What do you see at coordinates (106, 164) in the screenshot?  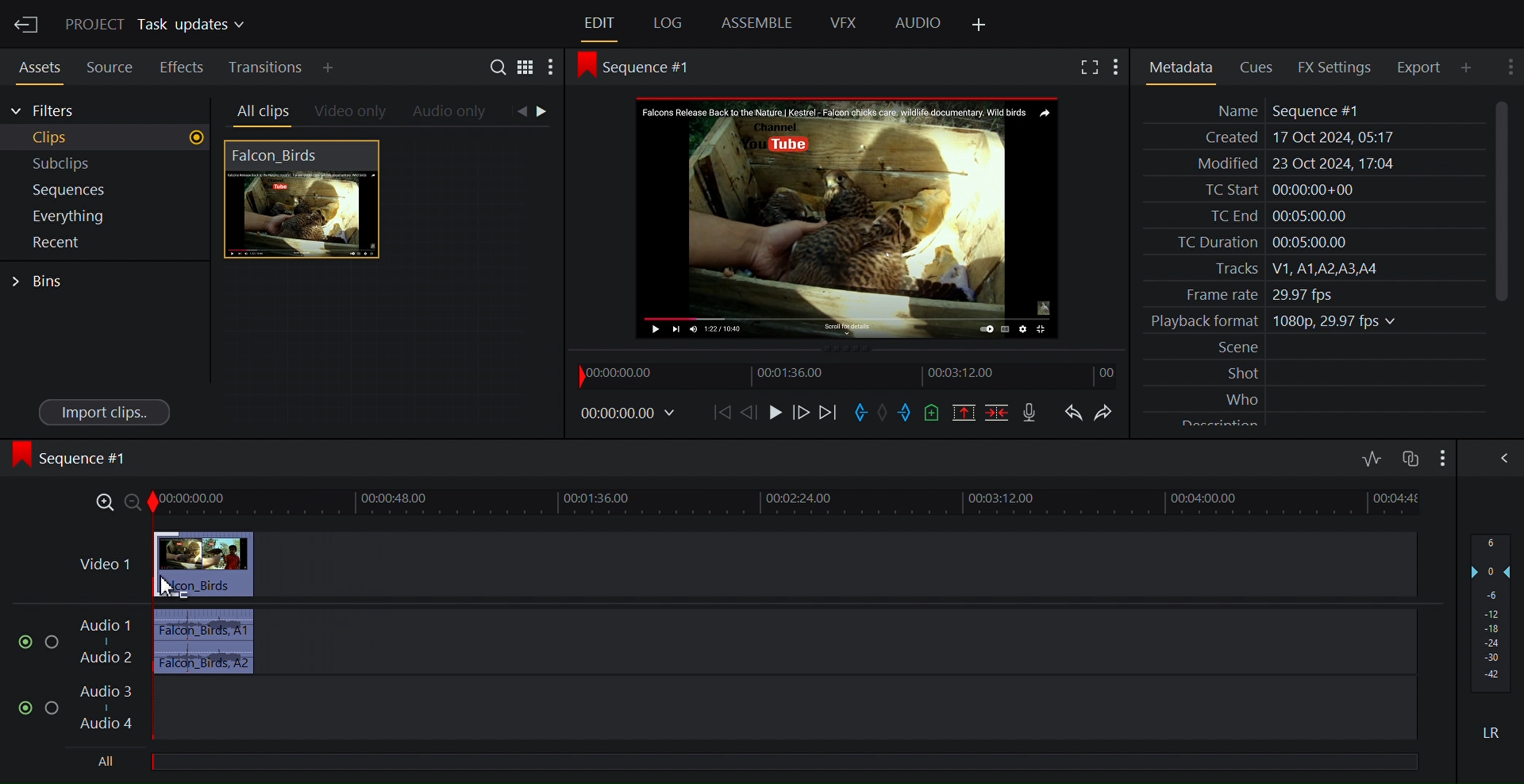 I see `Subclips` at bounding box center [106, 164].